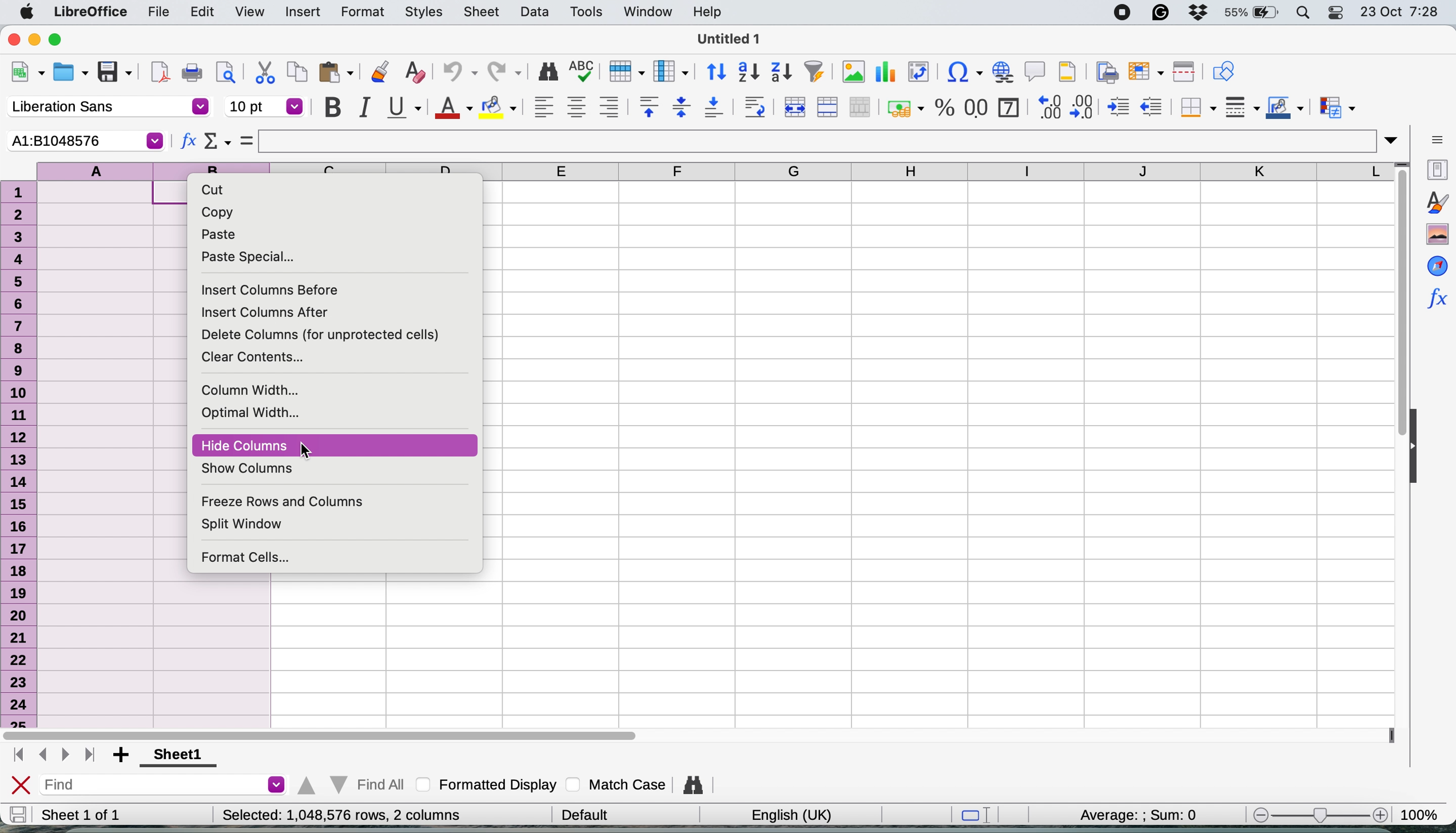 This screenshot has height=833, width=1456. I want to click on select function, so click(216, 142).